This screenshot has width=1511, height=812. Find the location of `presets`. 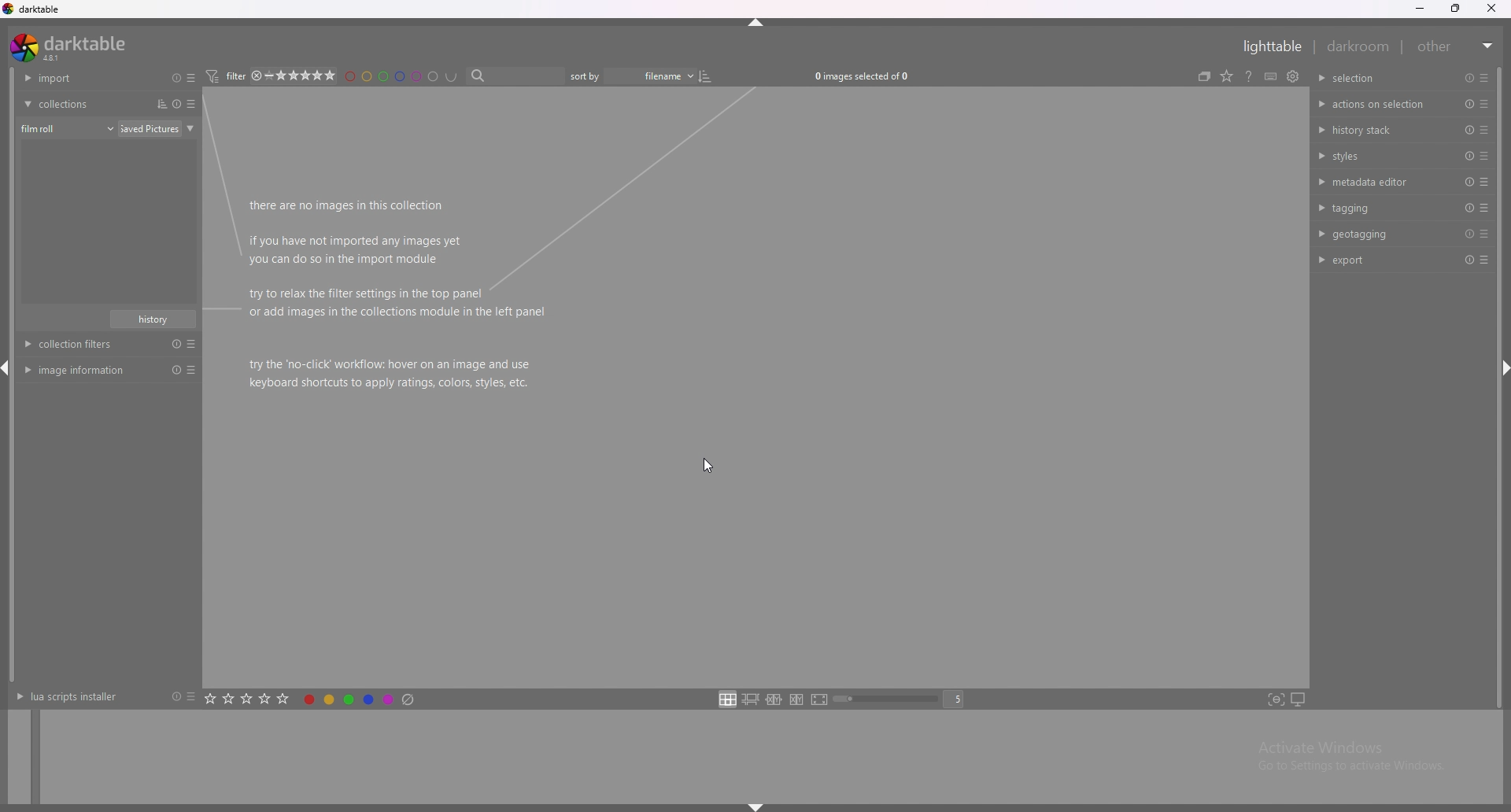

presets is located at coordinates (1484, 234).